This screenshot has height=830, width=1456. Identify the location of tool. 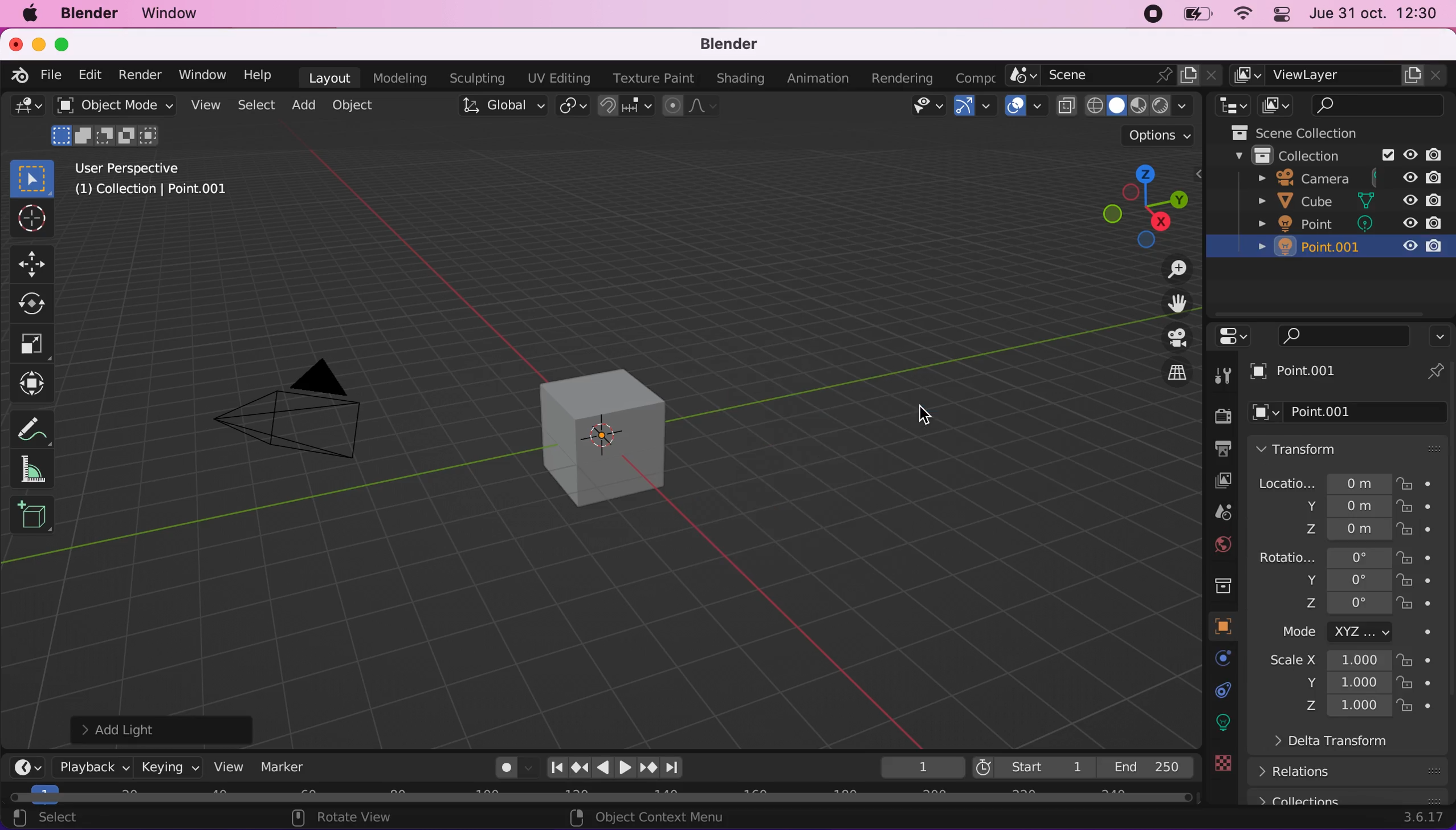
(1222, 376).